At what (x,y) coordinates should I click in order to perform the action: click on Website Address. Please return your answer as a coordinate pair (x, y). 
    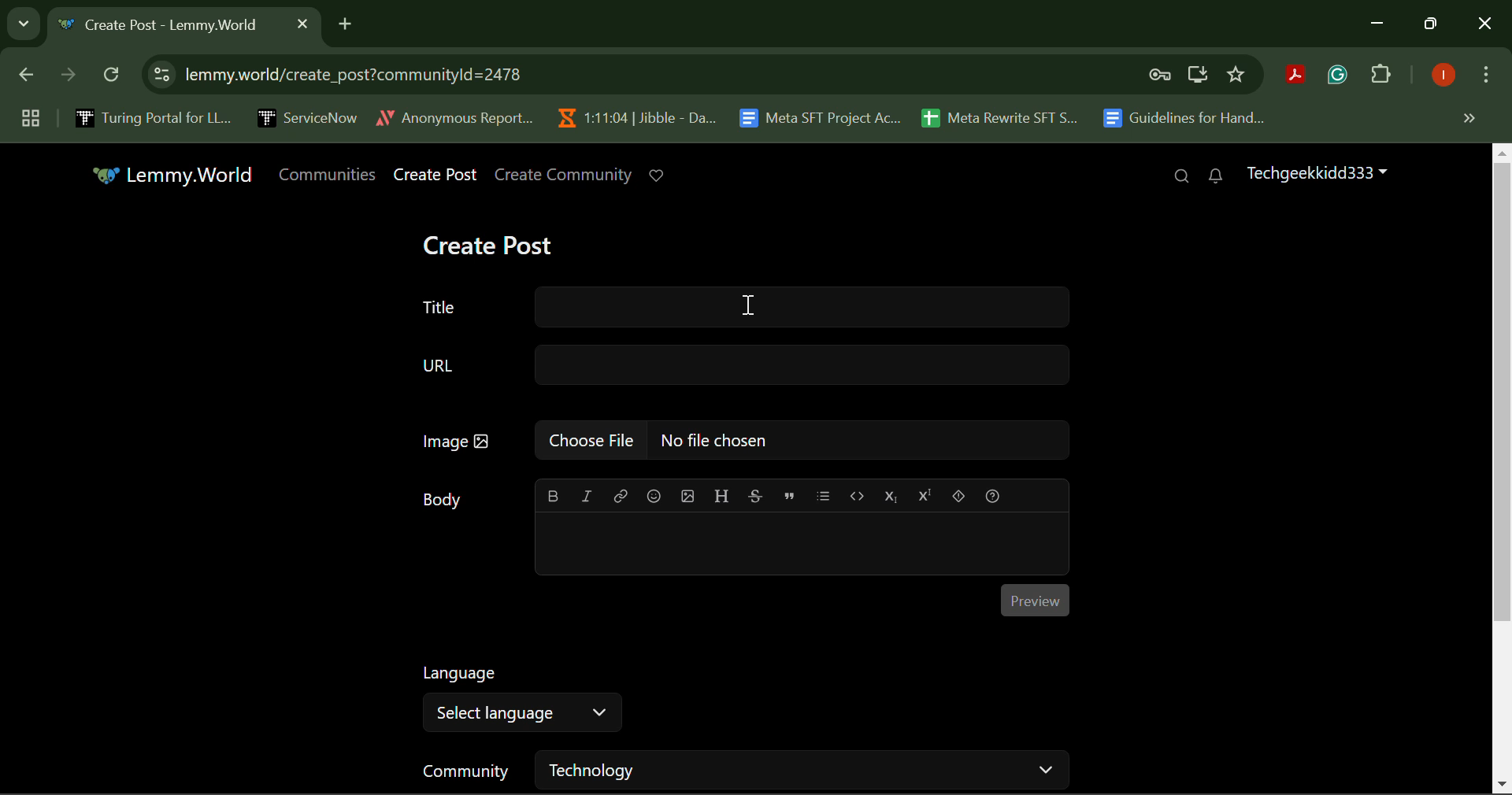
    Looking at the image, I should click on (554, 74).